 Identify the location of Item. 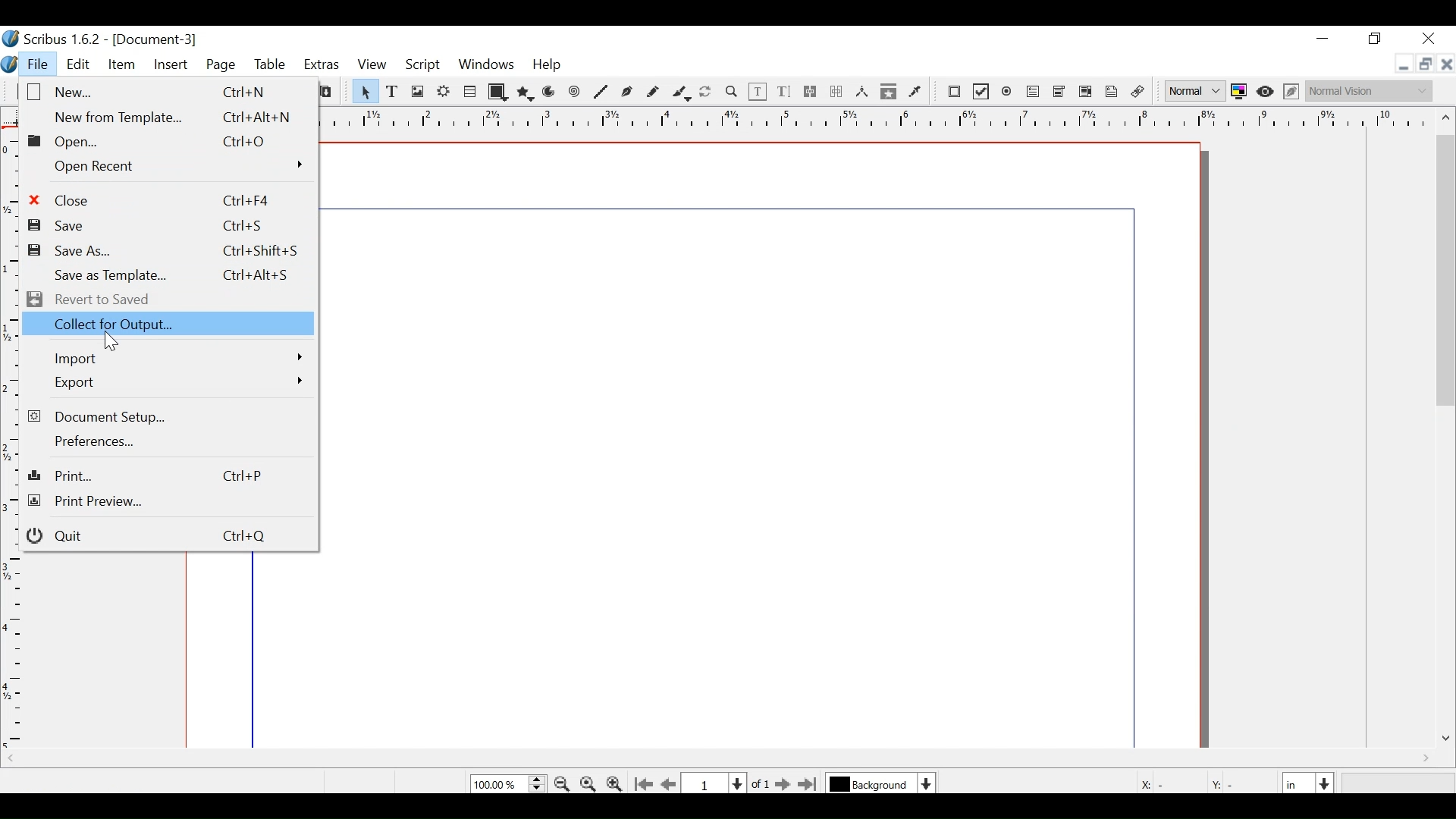
(121, 67).